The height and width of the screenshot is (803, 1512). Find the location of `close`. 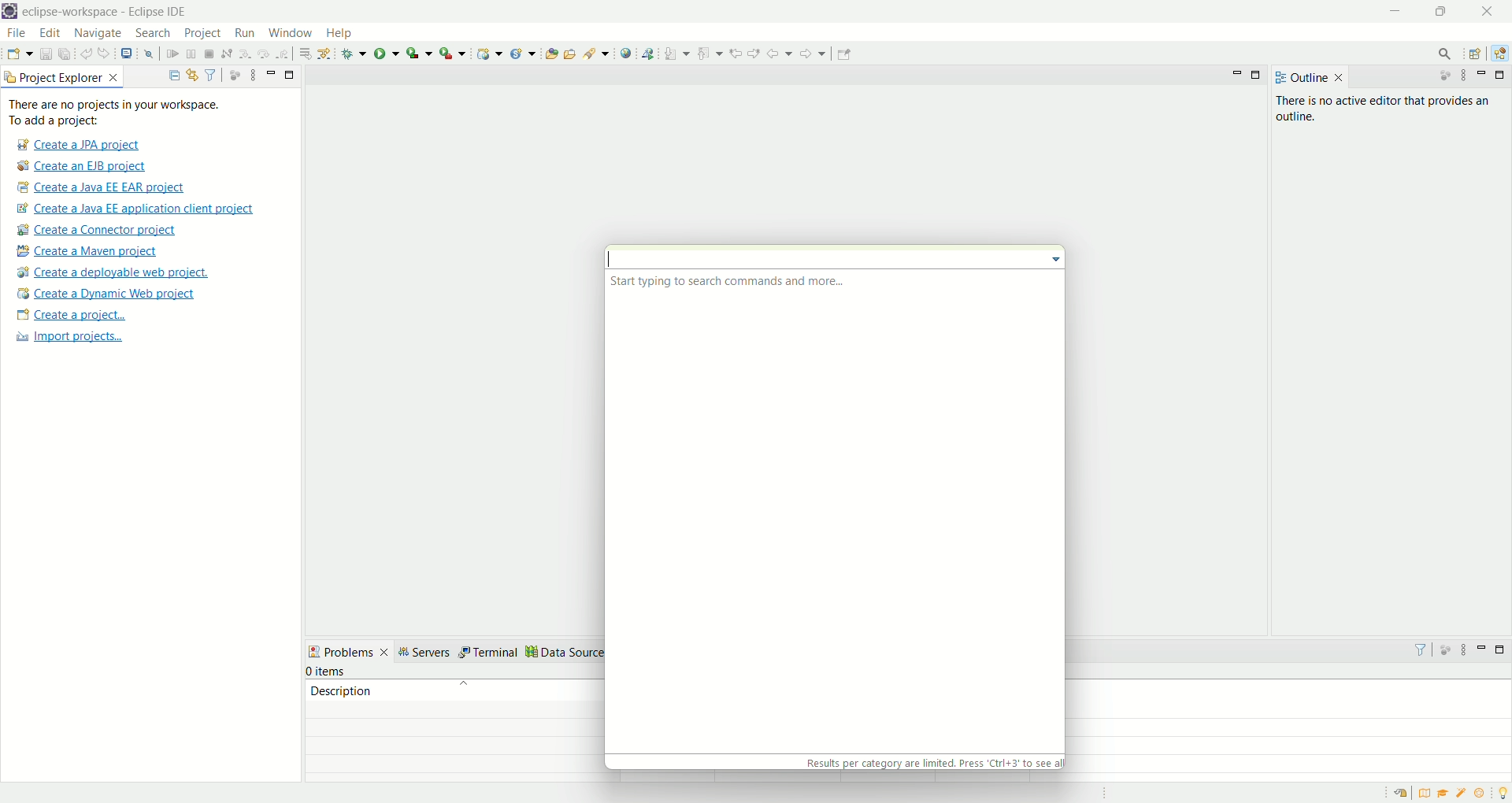

close is located at coordinates (1484, 12).